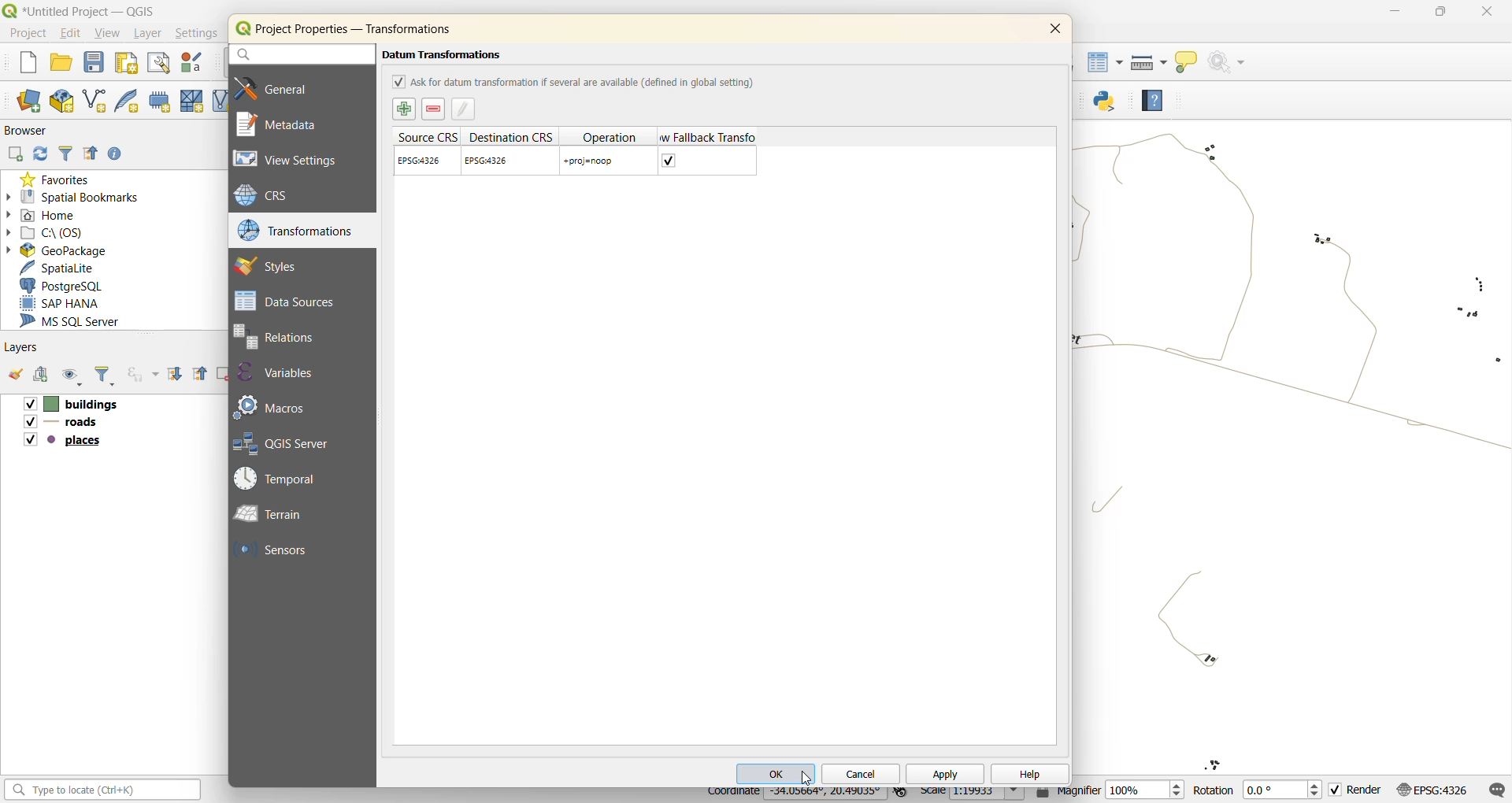 This screenshot has height=803, width=1512. Describe the element at coordinates (105, 790) in the screenshot. I see `search bar` at that location.